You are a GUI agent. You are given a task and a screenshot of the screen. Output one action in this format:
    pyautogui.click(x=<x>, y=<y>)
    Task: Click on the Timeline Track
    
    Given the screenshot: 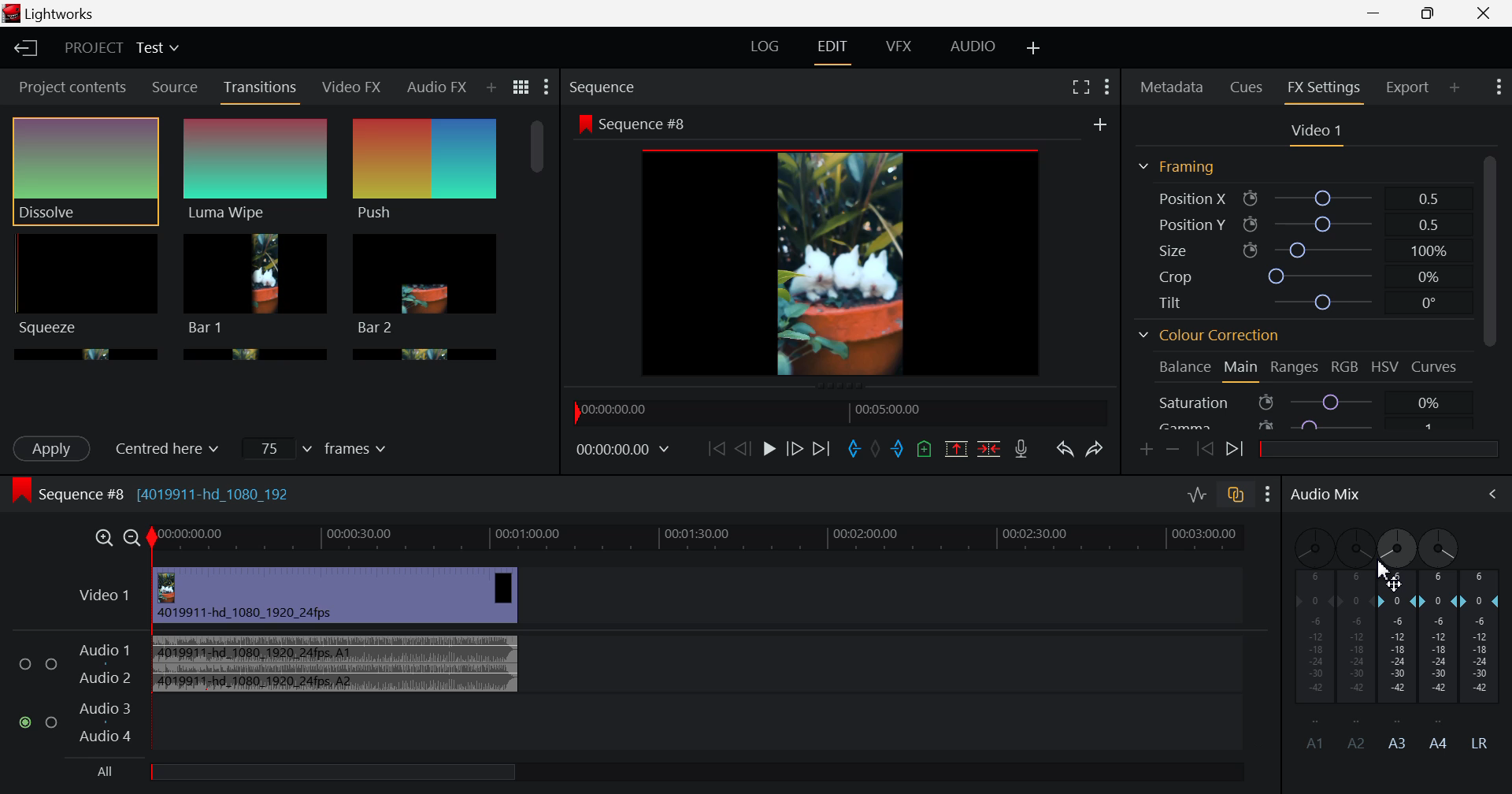 What is the action you would take?
    pyautogui.click(x=713, y=538)
    